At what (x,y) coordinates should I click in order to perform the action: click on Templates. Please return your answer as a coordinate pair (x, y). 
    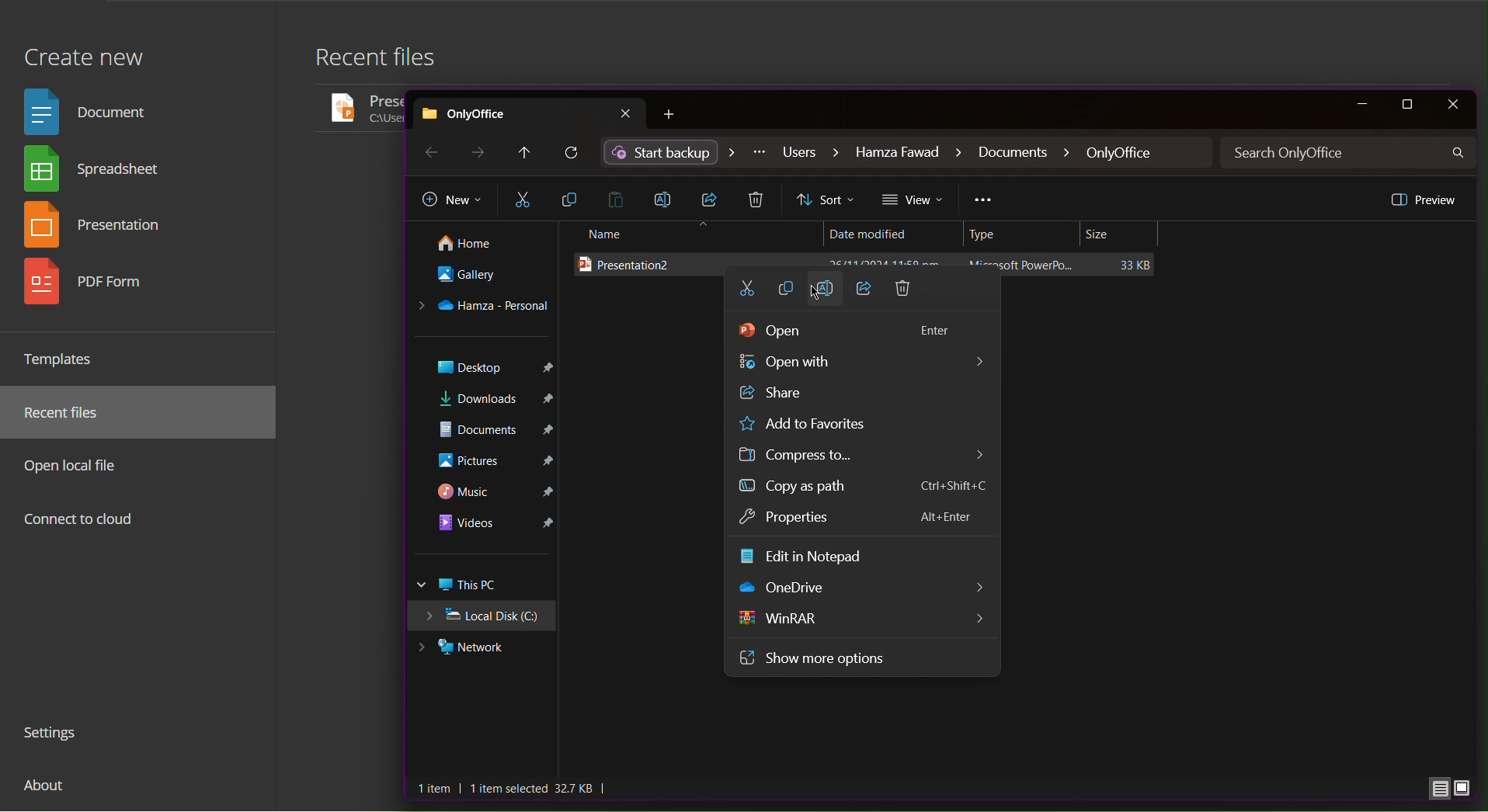
    Looking at the image, I should click on (65, 359).